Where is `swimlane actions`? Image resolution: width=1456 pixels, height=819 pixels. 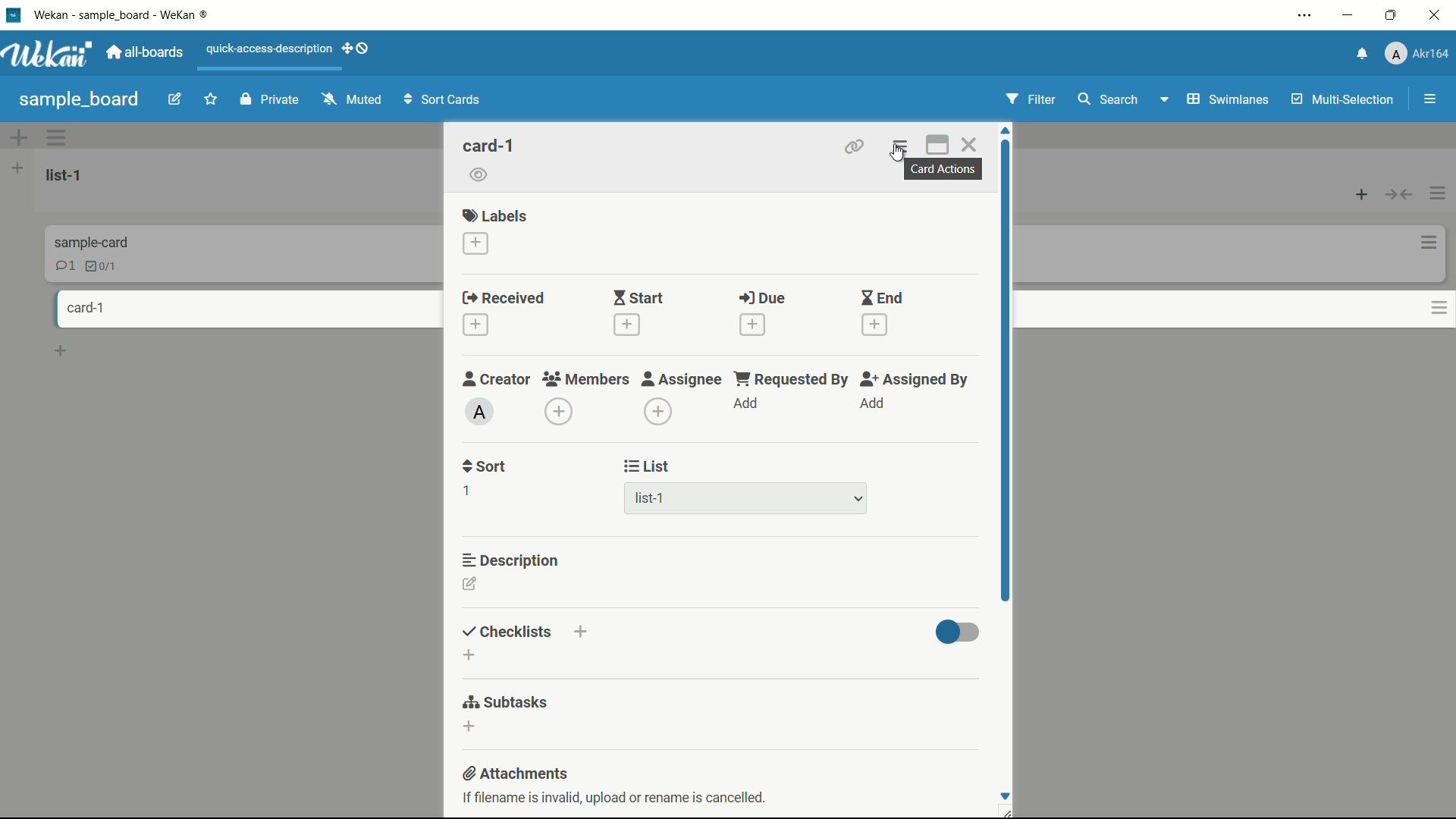
swimlane actions is located at coordinates (57, 138).